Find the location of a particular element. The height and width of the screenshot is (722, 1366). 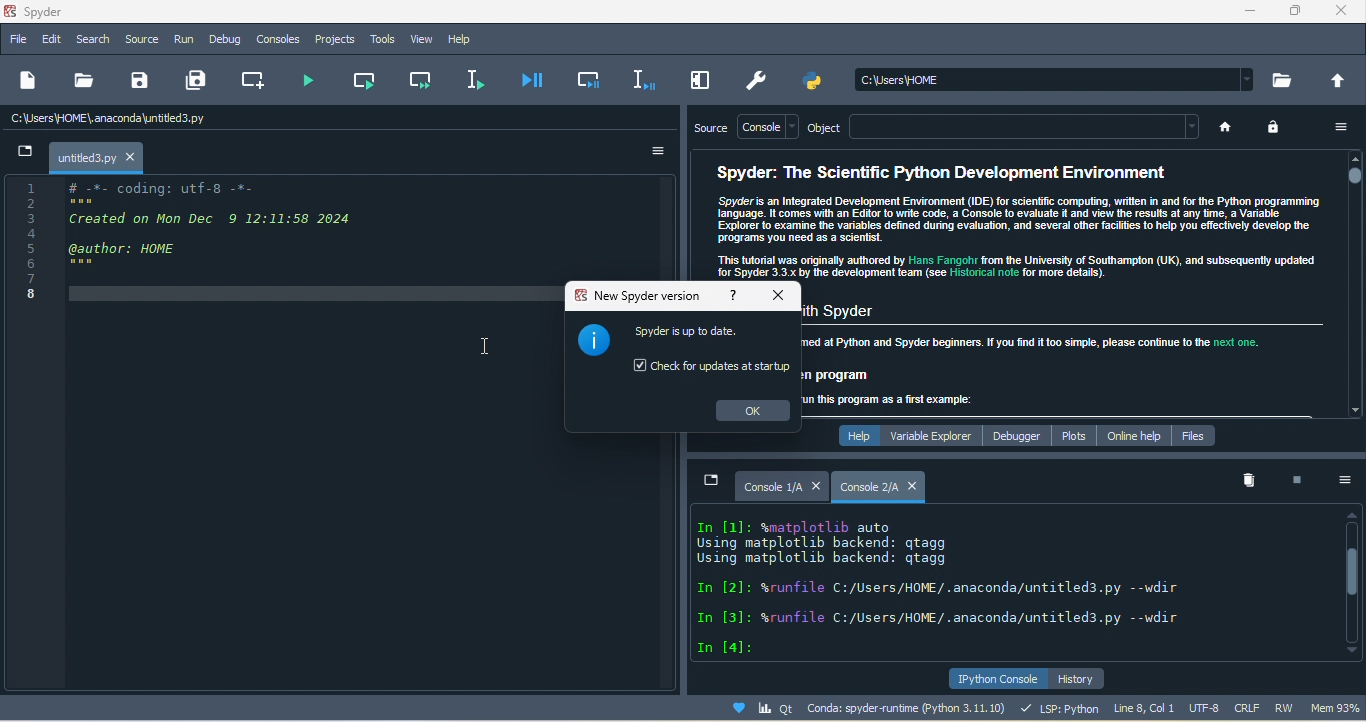

source is located at coordinates (708, 129).